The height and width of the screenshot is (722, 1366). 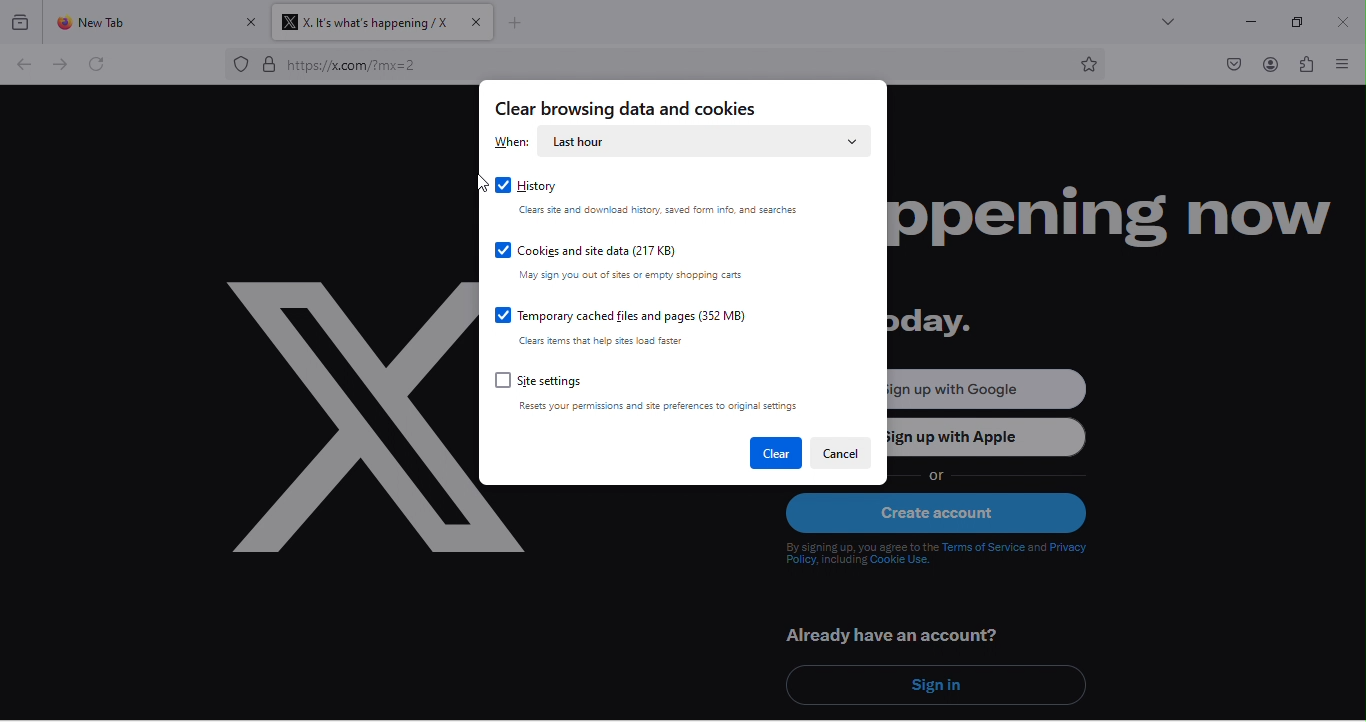 What do you see at coordinates (991, 387) in the screenshot?
I see `sign up with google` at bounding box center [991, 387].